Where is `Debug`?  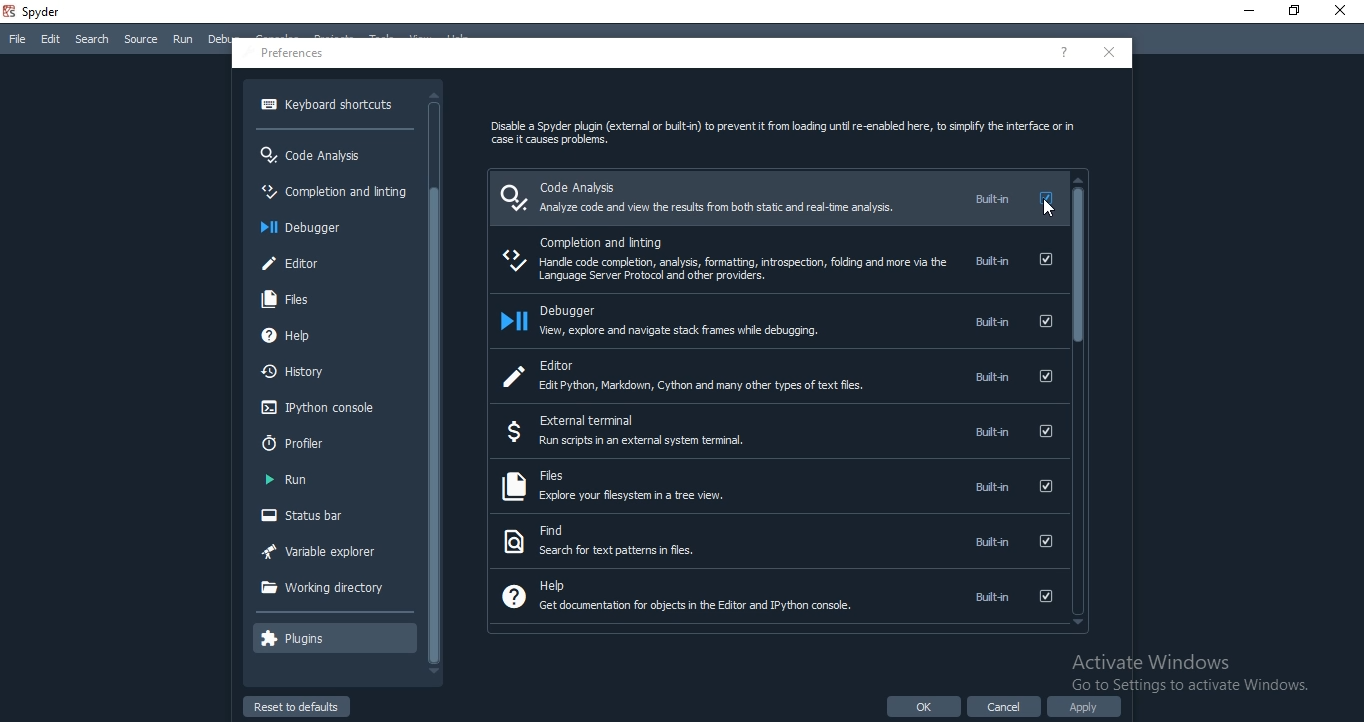 Debug is located at coordinates (225, 39).